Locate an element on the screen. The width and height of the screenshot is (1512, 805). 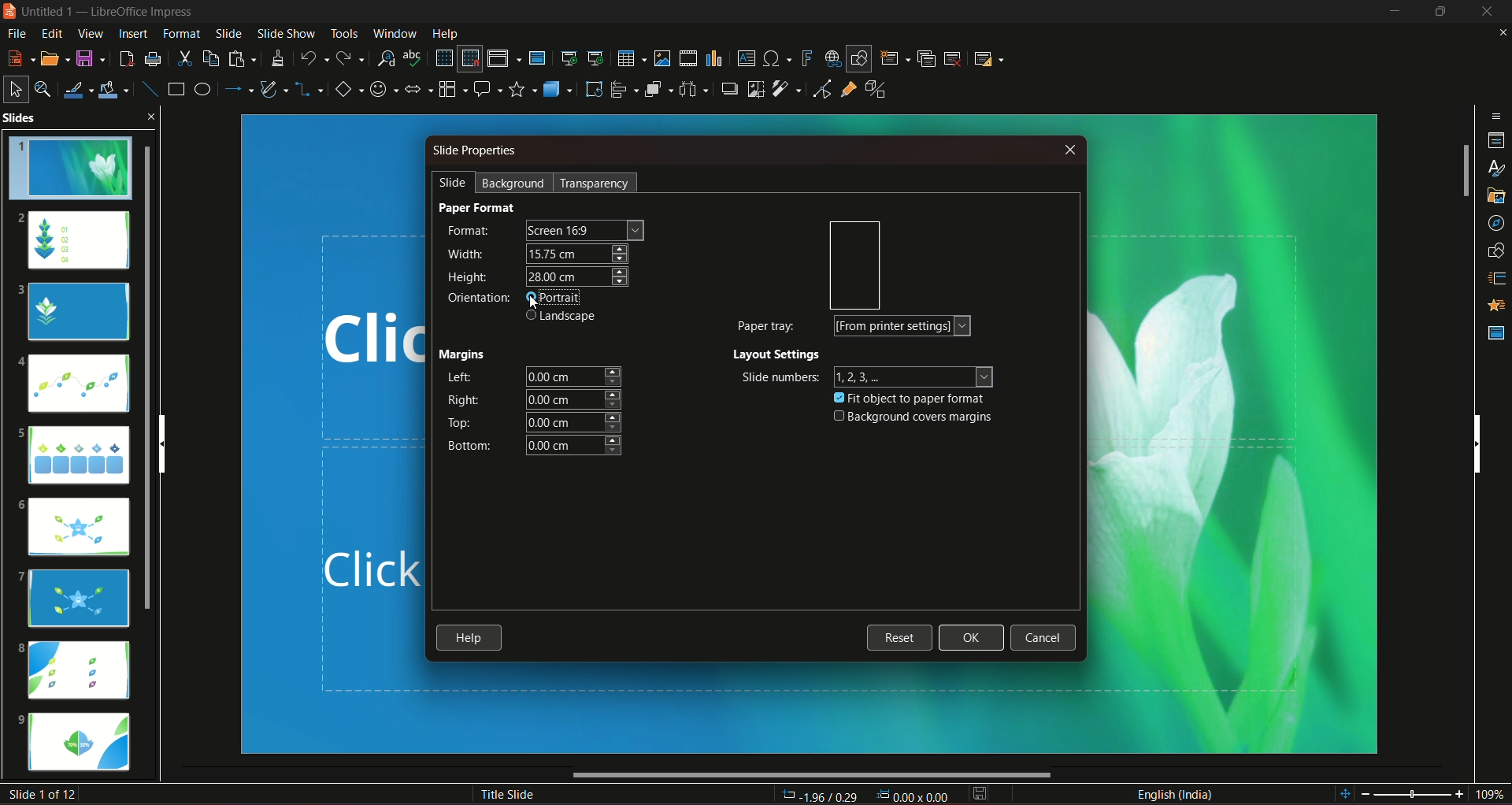
flowchart is located at coordinates (452, 87).